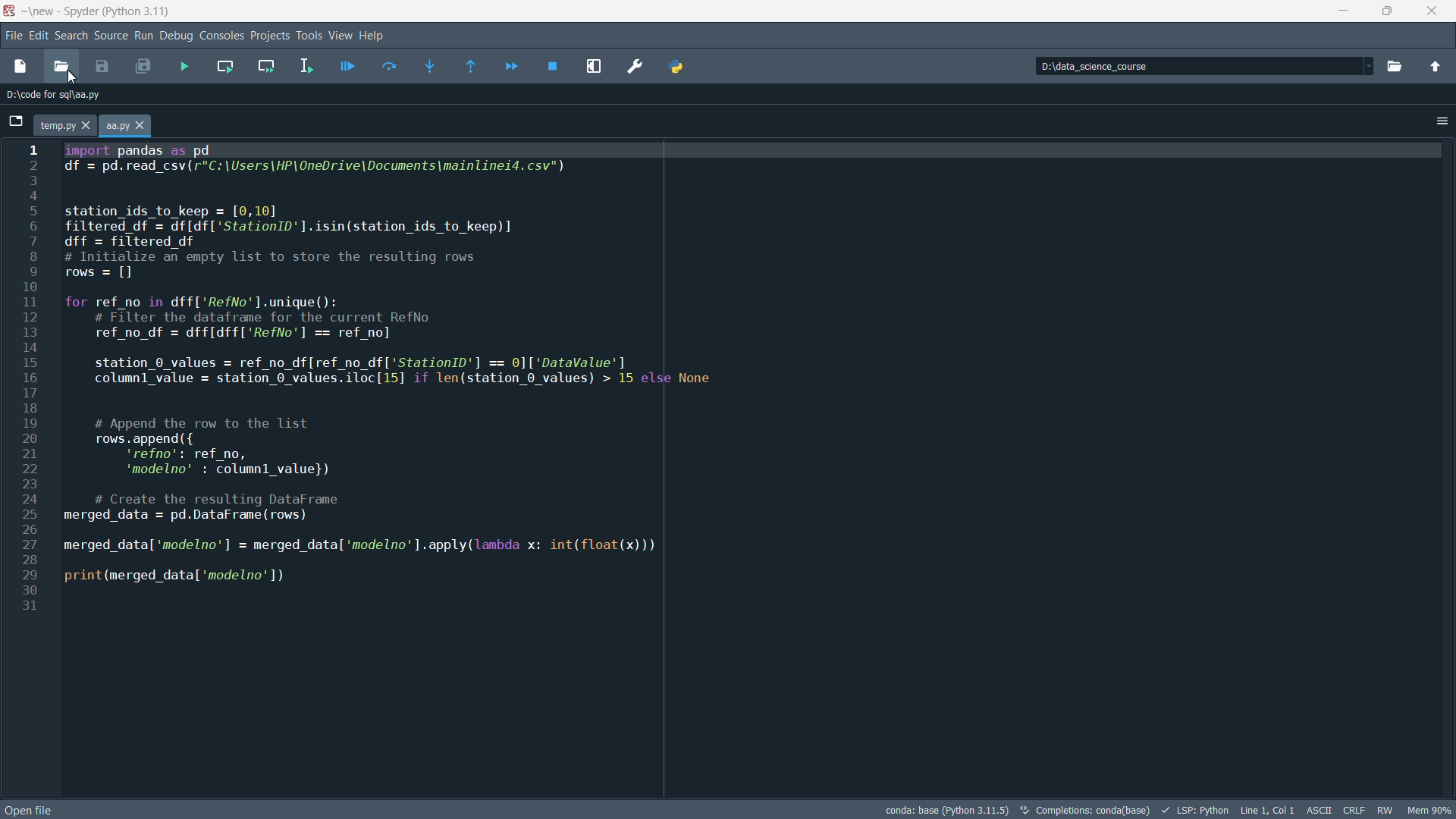  Describe the element at coordinates (221, 35) in the screenshot. I see `consoles menu` at that location.